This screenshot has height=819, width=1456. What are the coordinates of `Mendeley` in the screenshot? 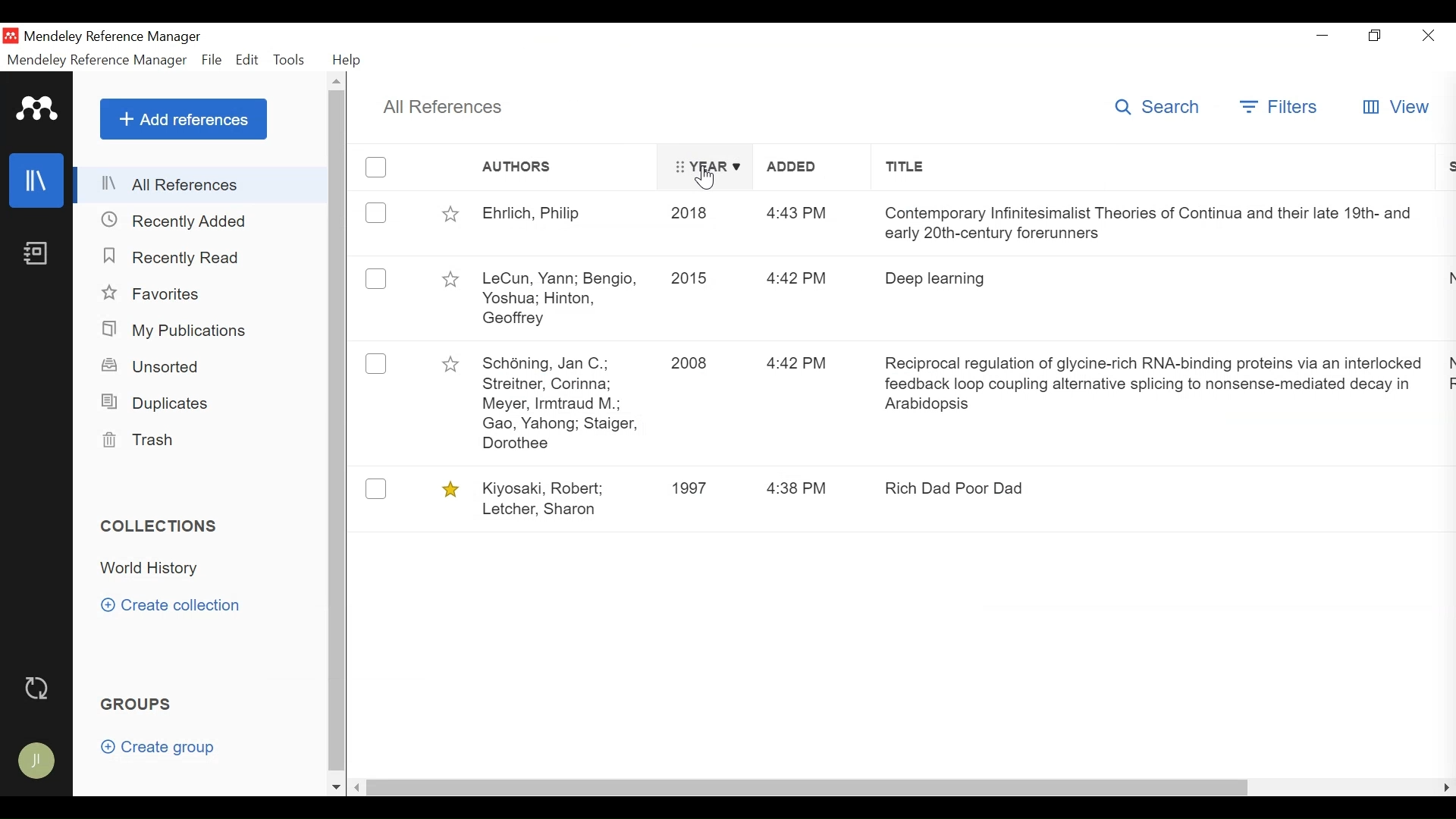 It's located at (38, 108).